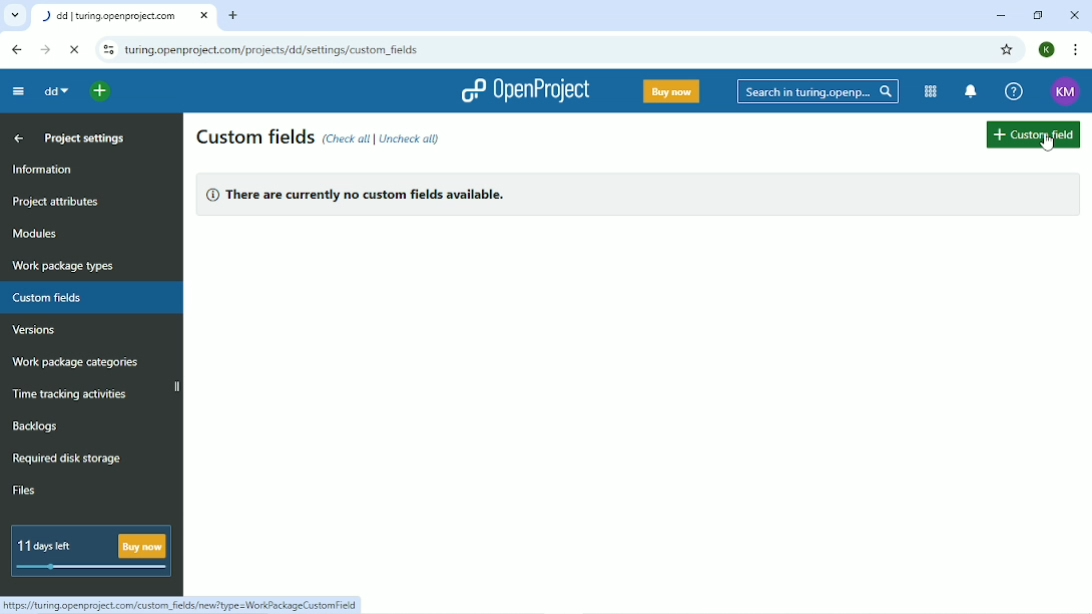  Describe the element at coordinates (325, 135) in the screenshot. I see `Custom fields (check all | Uncheck all)` at that location.